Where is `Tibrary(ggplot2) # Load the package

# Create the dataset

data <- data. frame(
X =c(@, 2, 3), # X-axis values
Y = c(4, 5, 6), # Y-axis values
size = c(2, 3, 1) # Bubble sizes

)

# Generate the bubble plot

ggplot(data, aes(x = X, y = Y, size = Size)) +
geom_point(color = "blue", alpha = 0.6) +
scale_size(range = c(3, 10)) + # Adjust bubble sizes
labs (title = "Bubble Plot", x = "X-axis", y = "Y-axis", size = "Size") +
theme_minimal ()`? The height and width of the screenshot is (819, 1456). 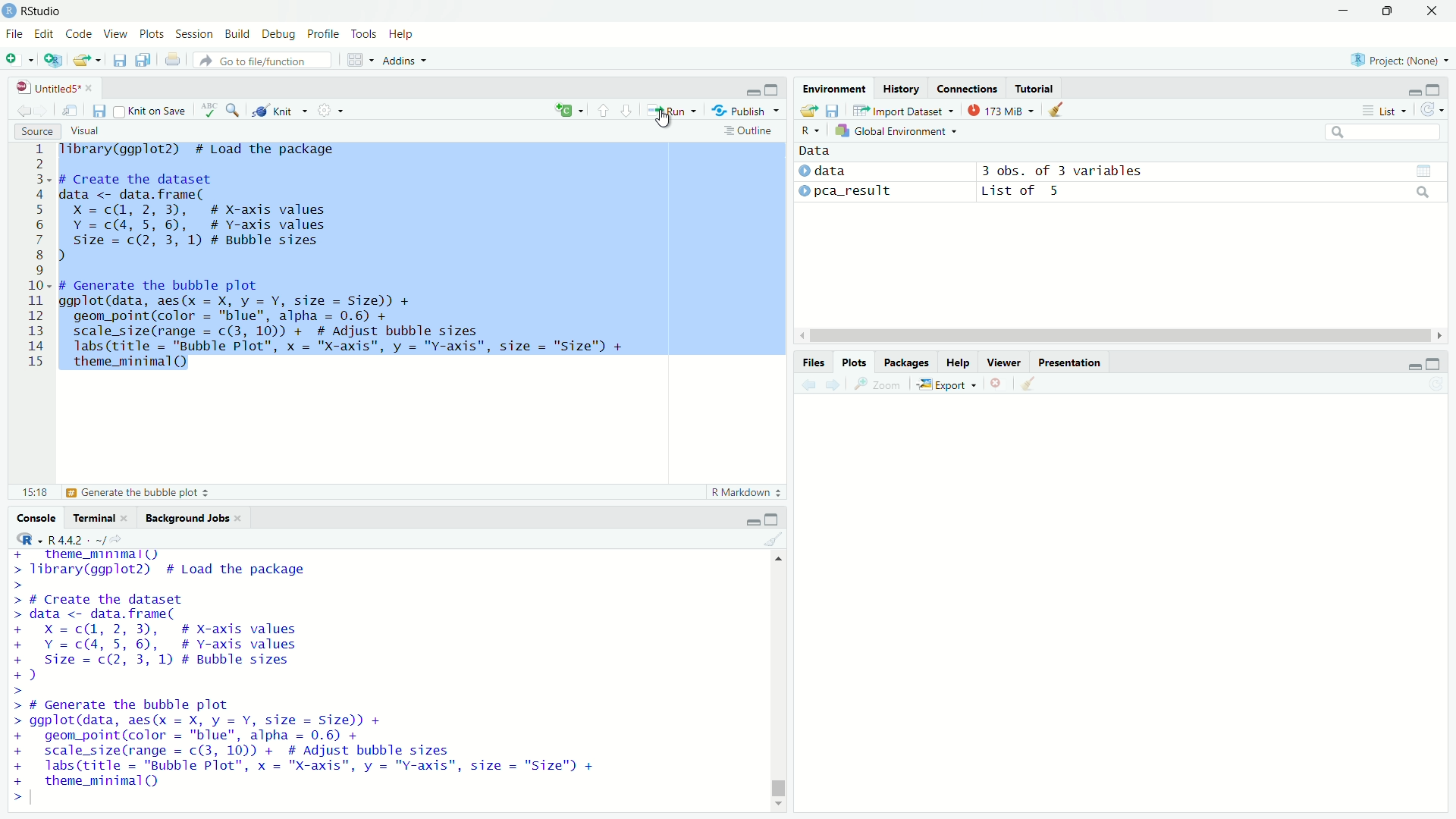
Tibrary(ggplot2) # Load the package

# Create the dataset

data <- data. frame(
X =c(@, 2, 3), # X-axis values
Y = c(4, 5, 6), # Y-axis values
size = c(2, 3, 1) # Bubble sizes

)

# Generate the bubble plot

ggplot(data, aes(x = X, y = Y, size = Size)) +
geom_point(color = "blue", alpha = 0.6) +
scale_size(range = c(3, 10)) + # Adjust bubble sizes
labs (title = "Bubble Plot", x = "X-axis", y = "Y-axis", size = "Size") +
theme_minimal () is located at coordinates (307, 677).